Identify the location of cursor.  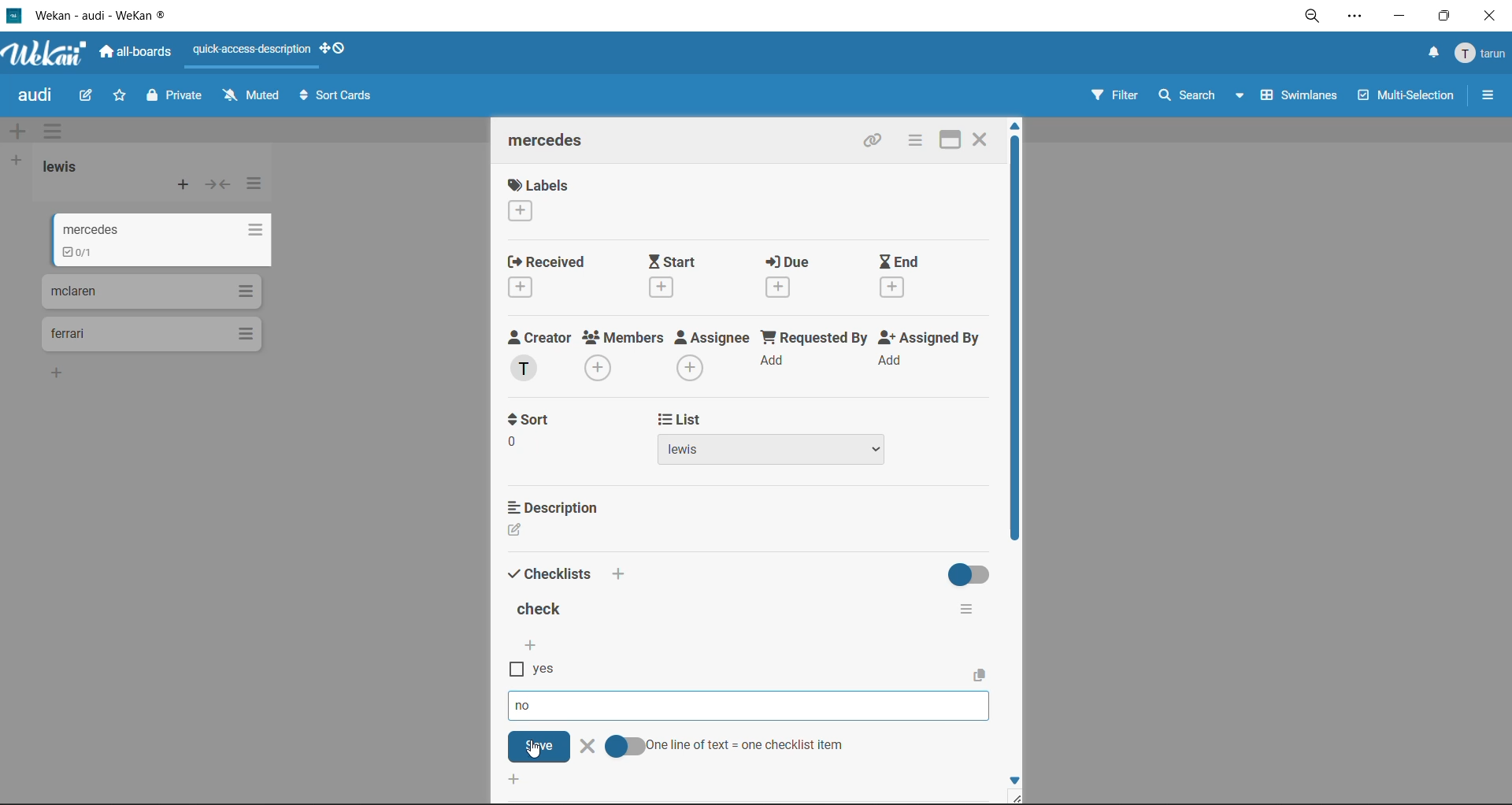
(534, 750).